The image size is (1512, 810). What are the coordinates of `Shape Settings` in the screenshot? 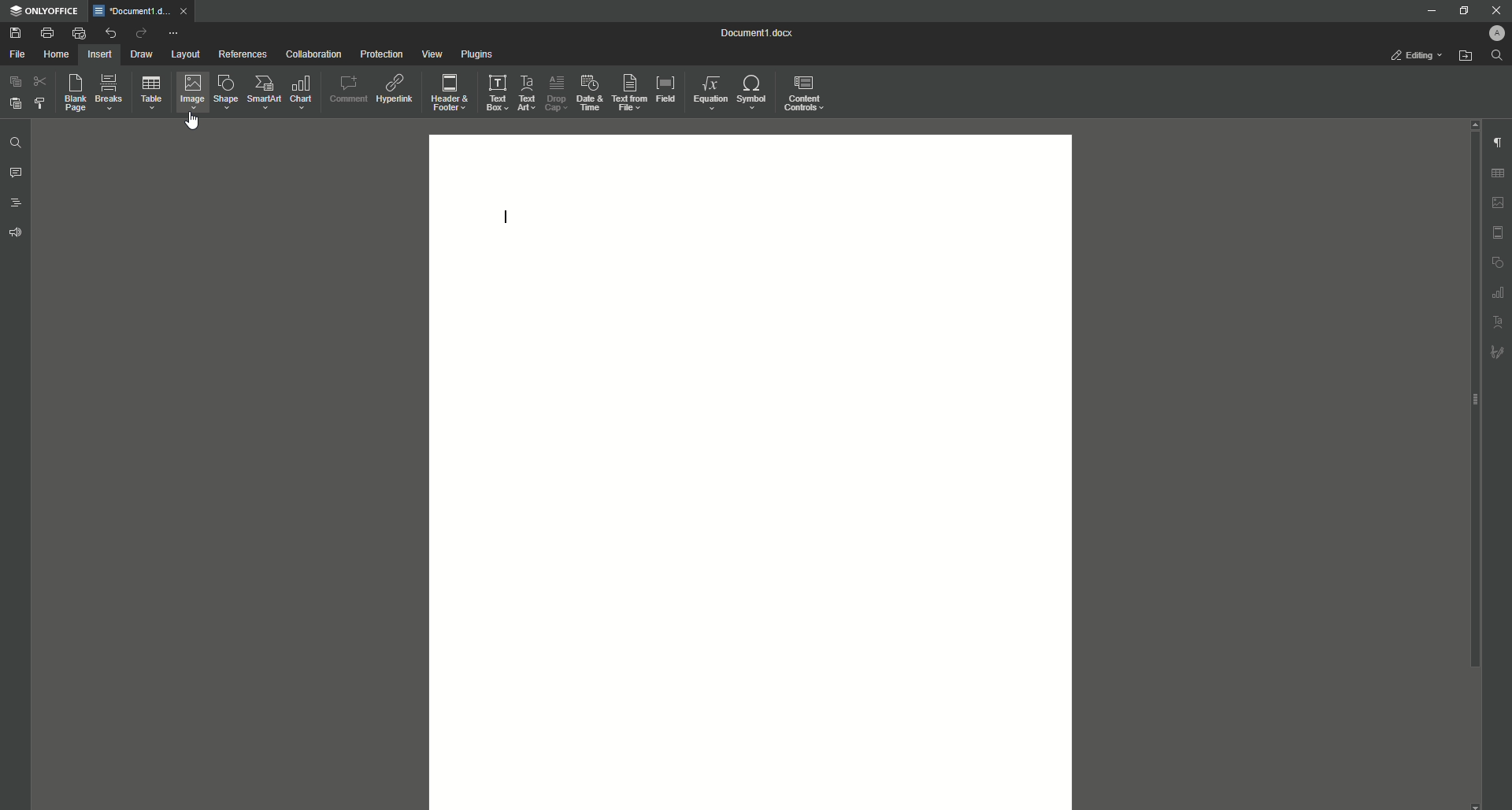 It's located at (1498, 262).